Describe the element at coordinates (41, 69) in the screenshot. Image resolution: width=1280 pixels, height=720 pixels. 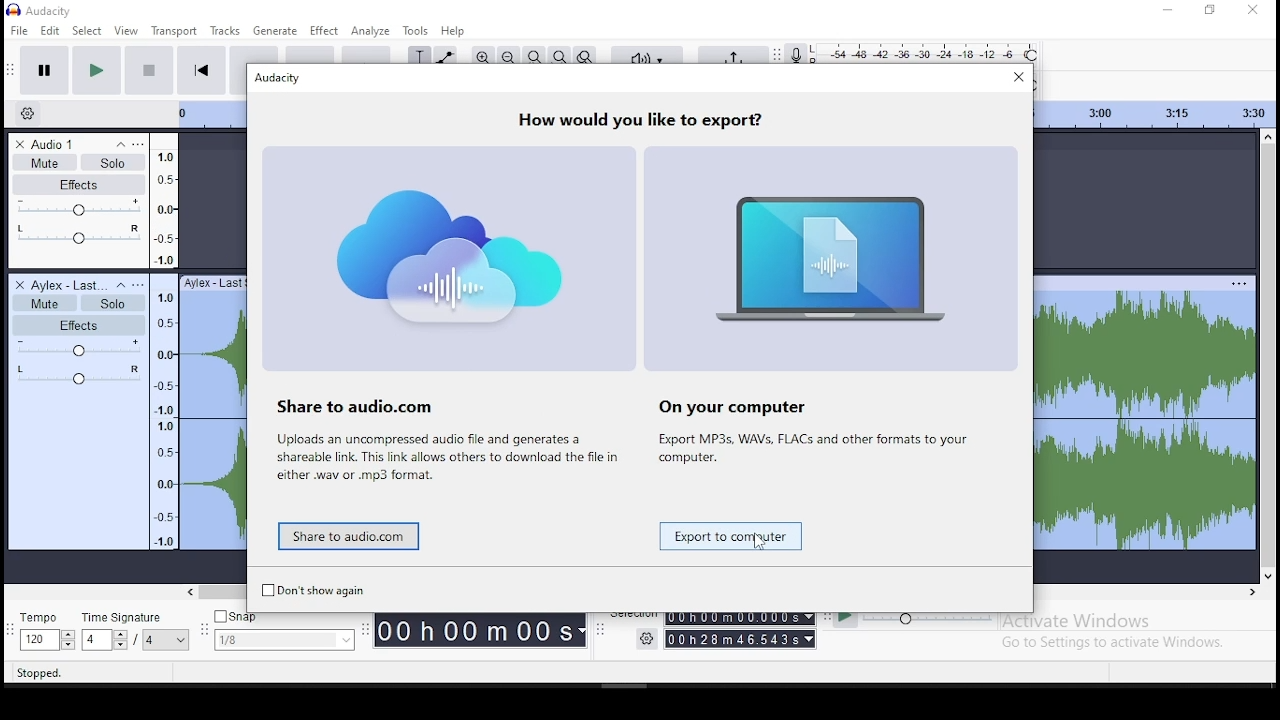
I see `pause` at that location.